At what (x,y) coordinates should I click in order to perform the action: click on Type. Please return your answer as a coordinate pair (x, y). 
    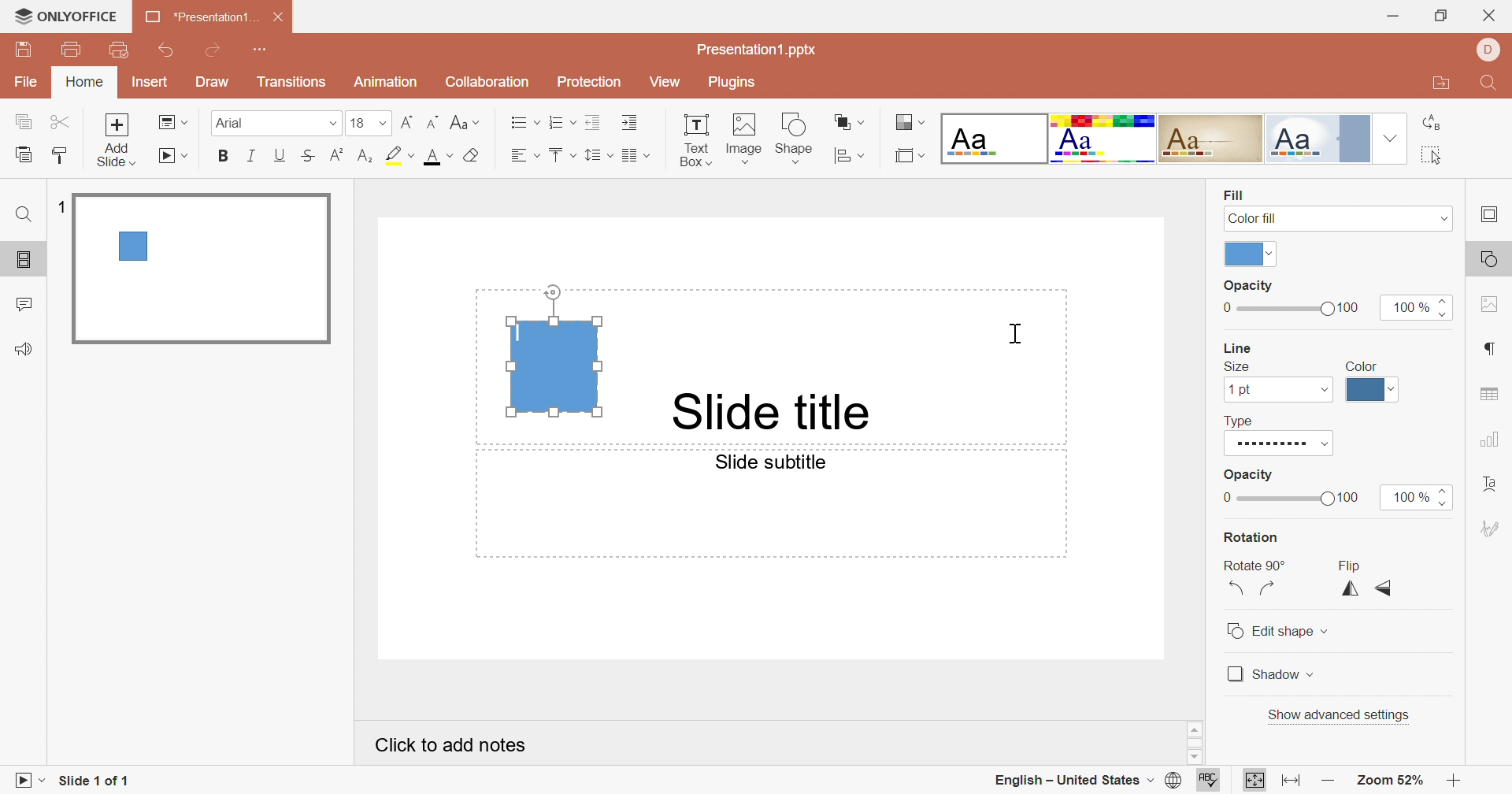
    Looking at the image, I should click on (1241, 419).